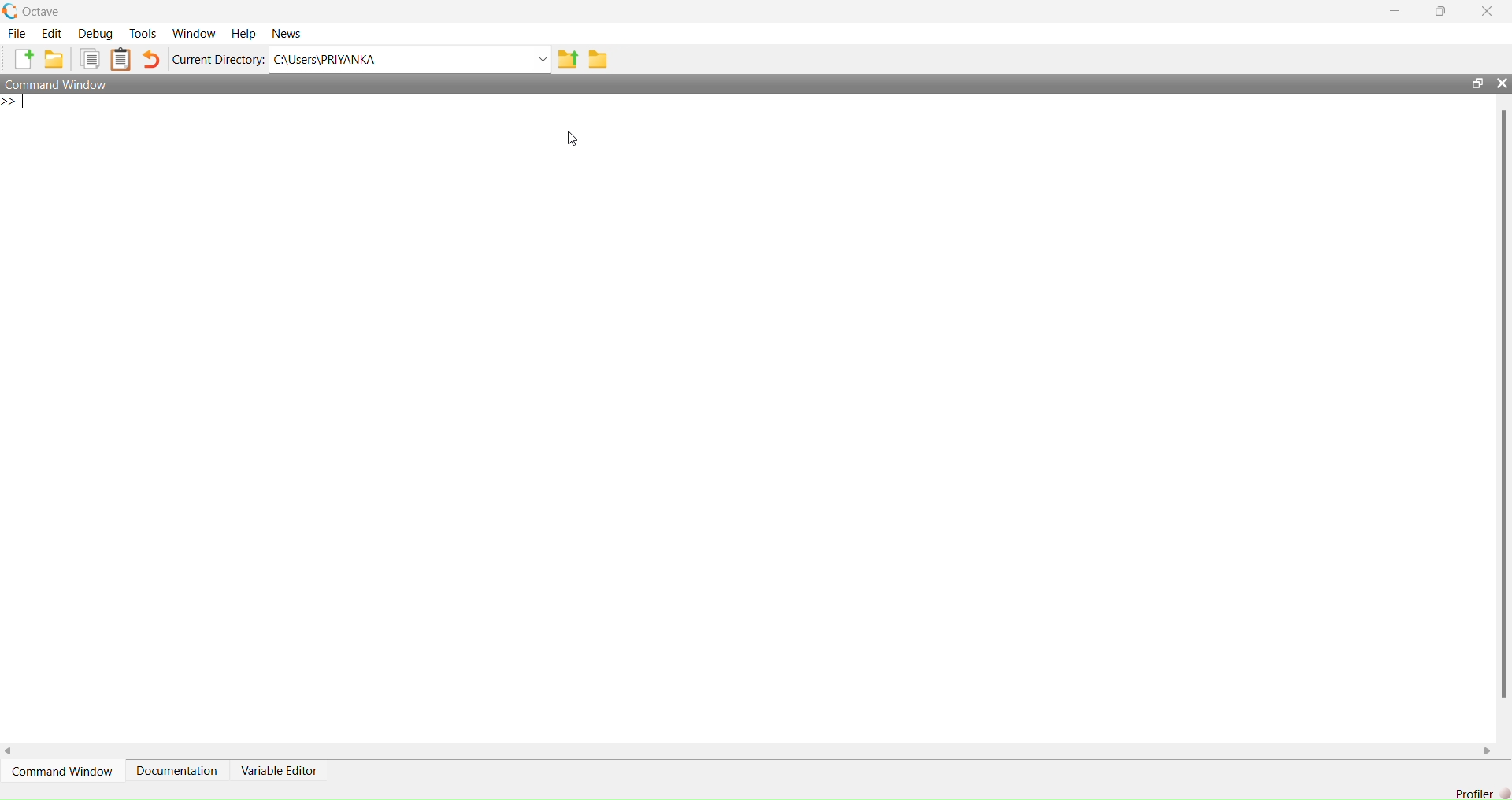 The height and width of the screenshot is (800, 1512). I want to click on open in separate window, so click(1477, 83).